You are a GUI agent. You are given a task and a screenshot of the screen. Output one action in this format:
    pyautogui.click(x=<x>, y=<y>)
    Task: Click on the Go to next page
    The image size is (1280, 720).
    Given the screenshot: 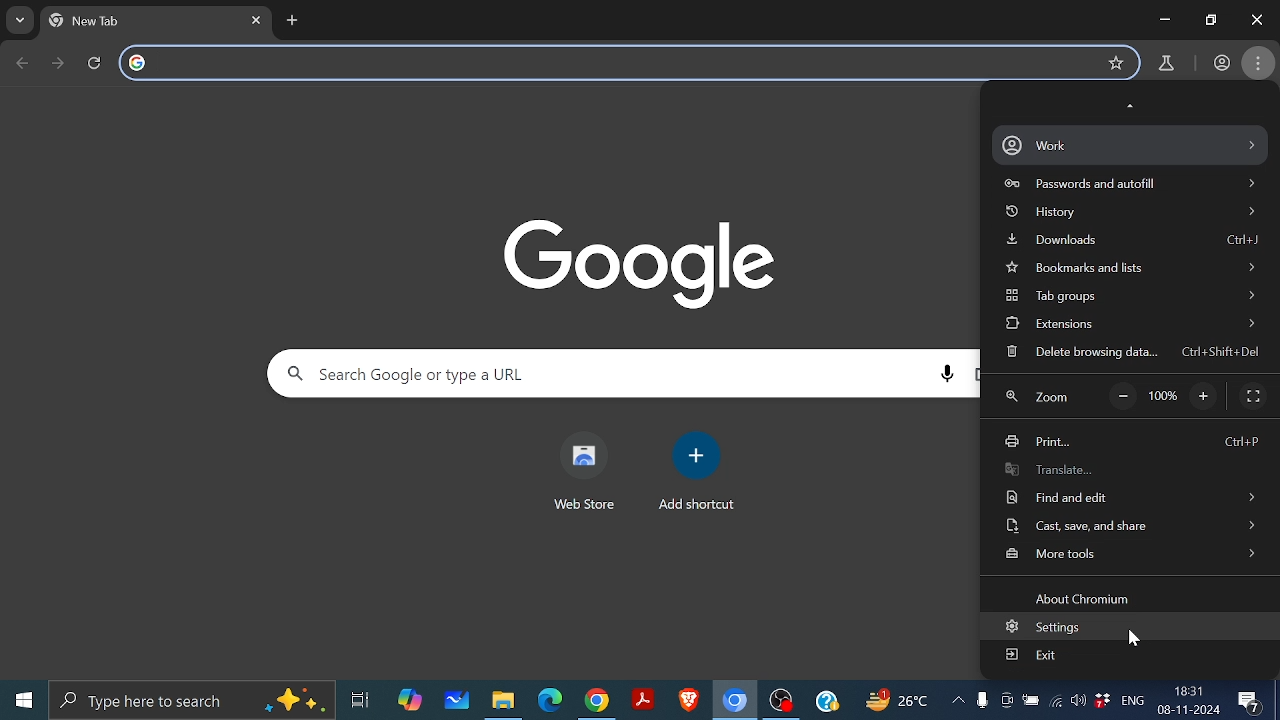 What is the action you would take?
    pyautogui.click(x=60, y=63)
    